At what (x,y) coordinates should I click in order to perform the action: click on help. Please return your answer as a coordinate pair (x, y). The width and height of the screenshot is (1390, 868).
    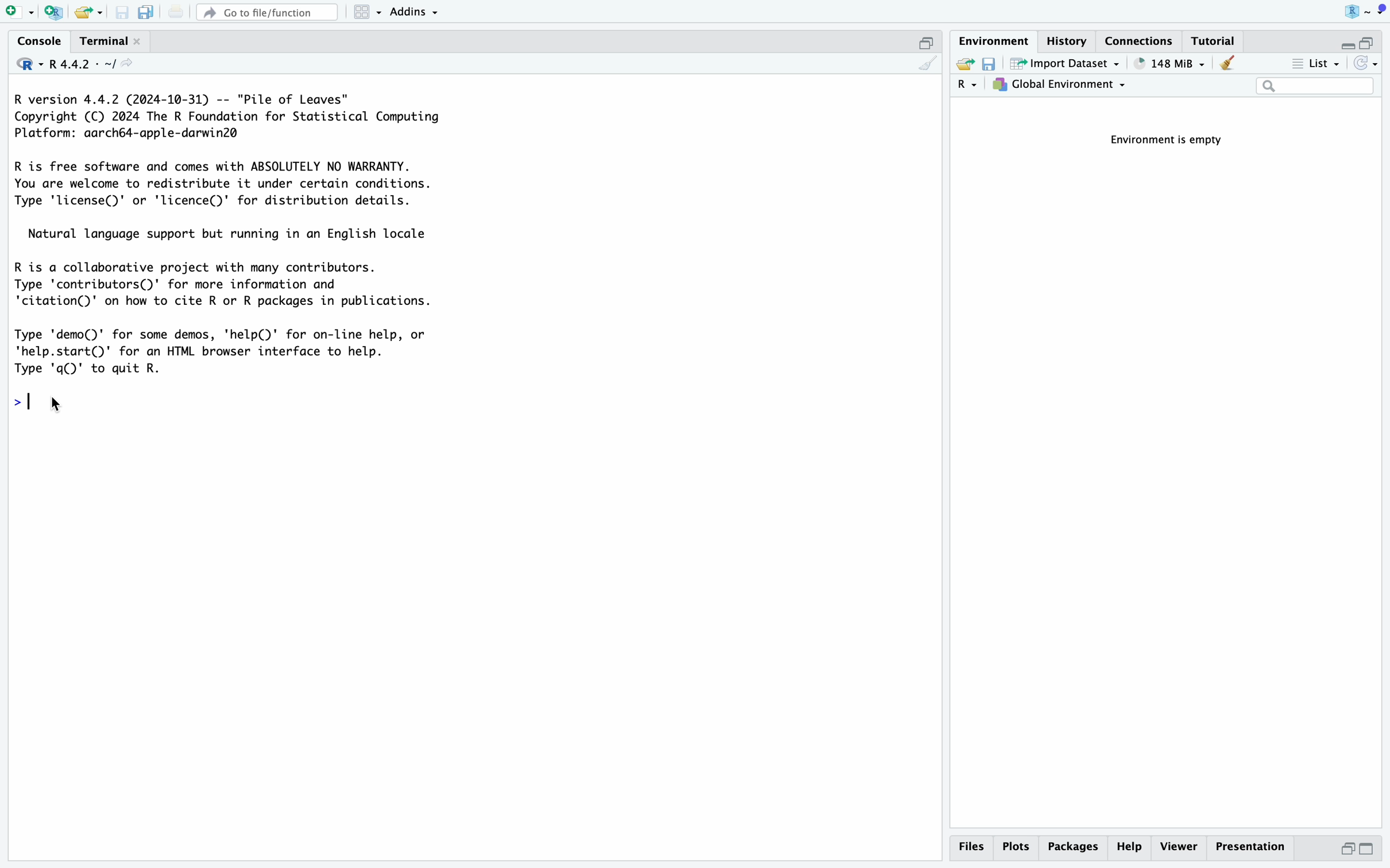
    Looking at the image, I should click on (1129, 848).